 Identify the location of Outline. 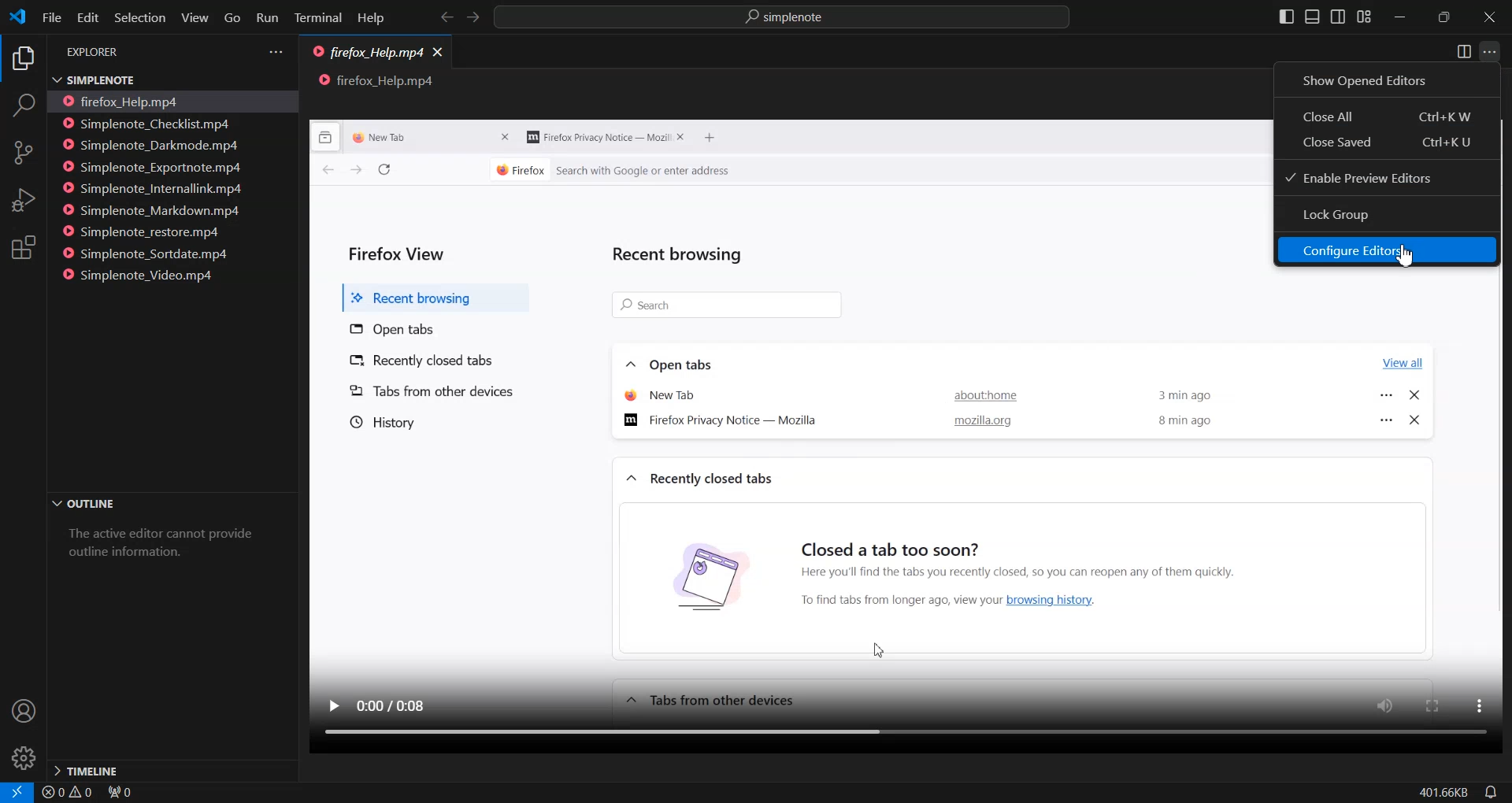
(170, 505).